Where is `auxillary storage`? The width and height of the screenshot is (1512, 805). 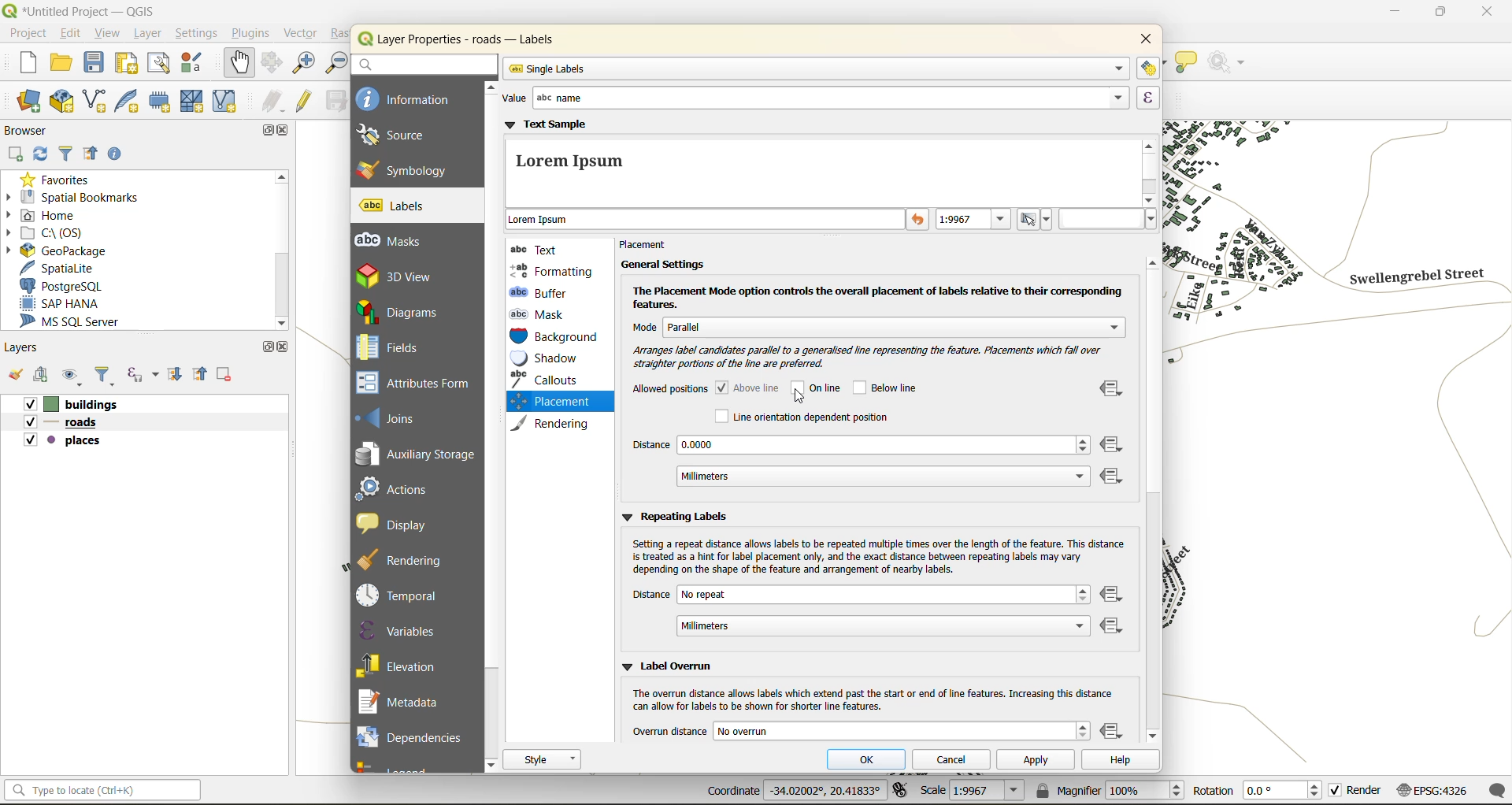
auxillary storage is located at coordinates (417, 457).